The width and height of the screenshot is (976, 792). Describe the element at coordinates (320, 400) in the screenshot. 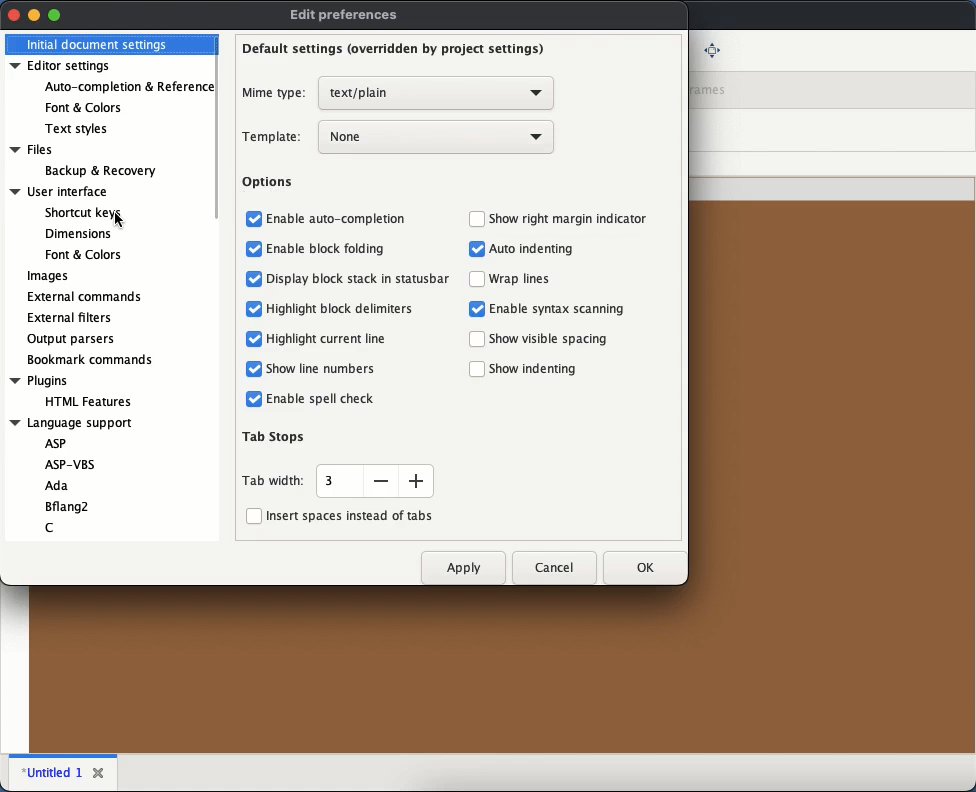

I see `Enable spell check` at that location.